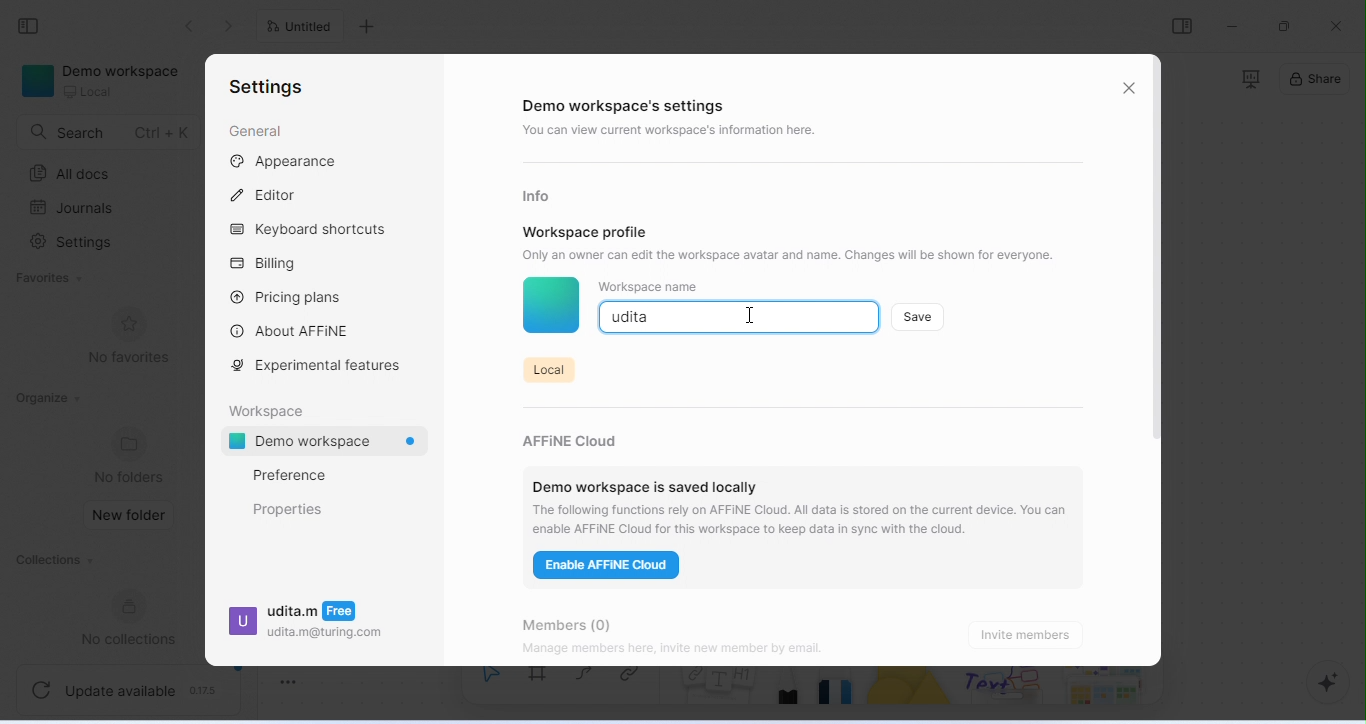 This screenshot has width=1366, height=724. Describe the element at coordinates (289, 509) in the screenshot. I see `properties` at that location.